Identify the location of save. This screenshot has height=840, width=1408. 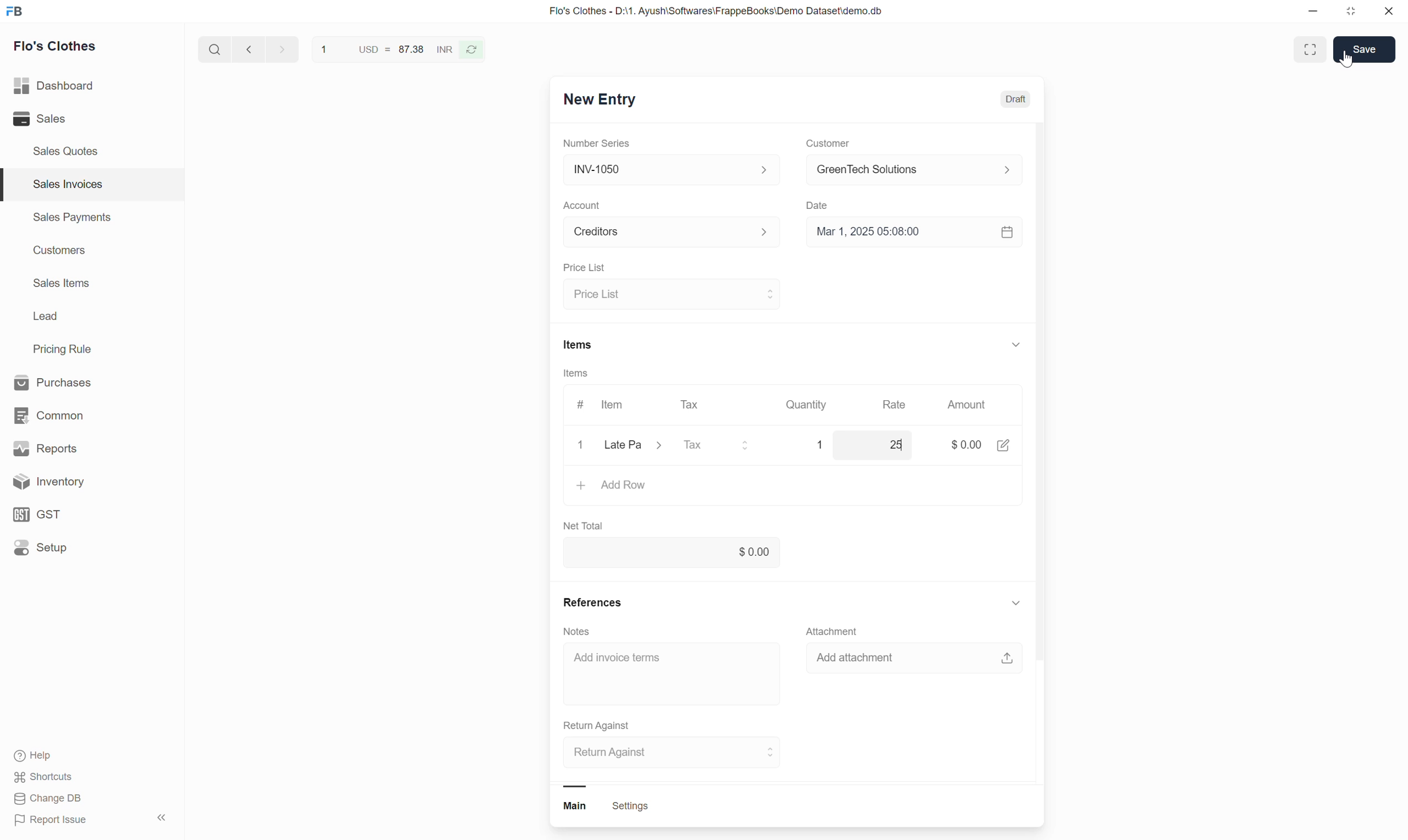
(1363, 50).